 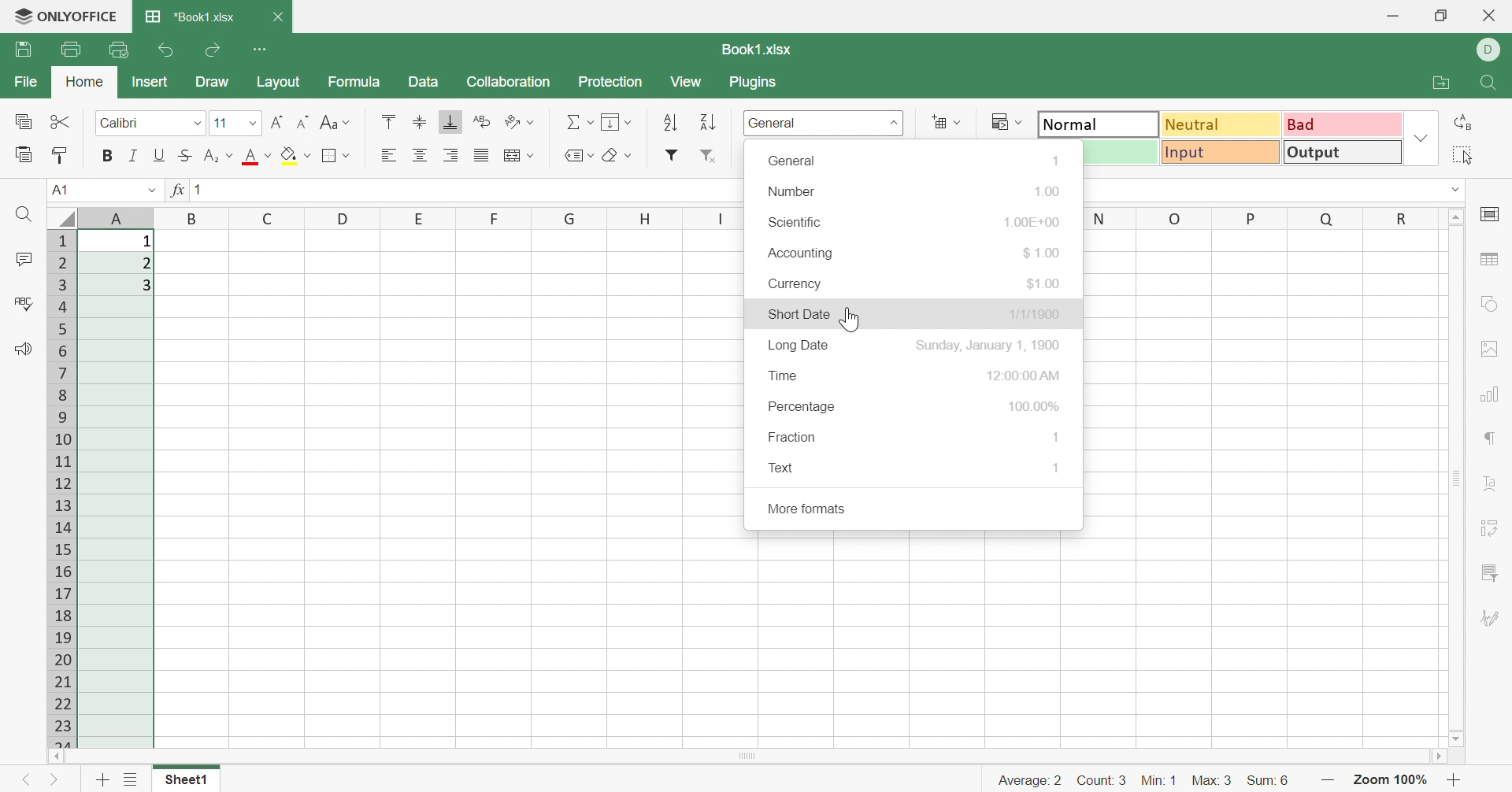 I want to click on Wrap text, so click(x=521, y=157).